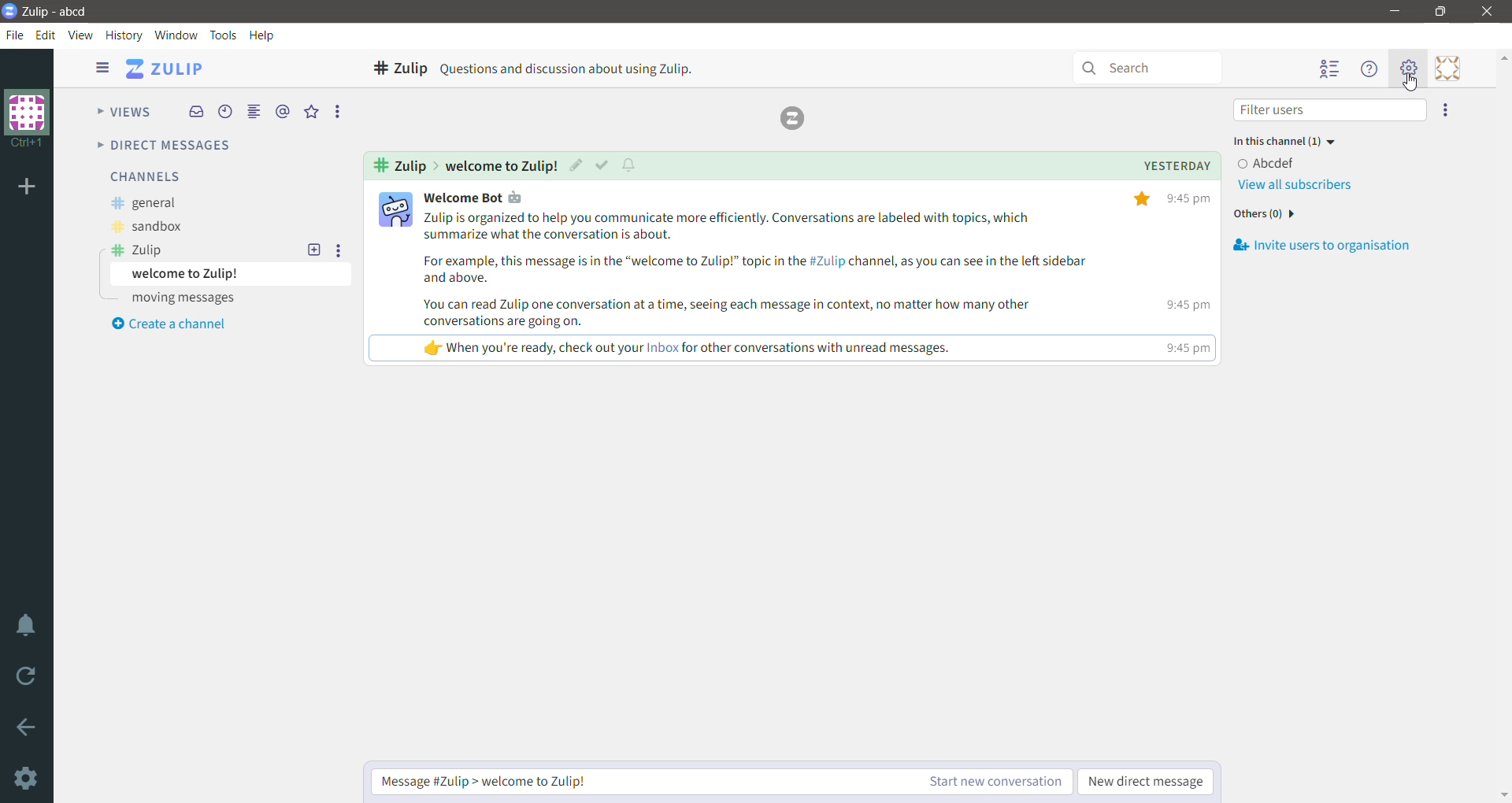  What do you see at coordinates (310, 111) in the screenshot?
I see `Starred messages` at bounding box center [310, 111].